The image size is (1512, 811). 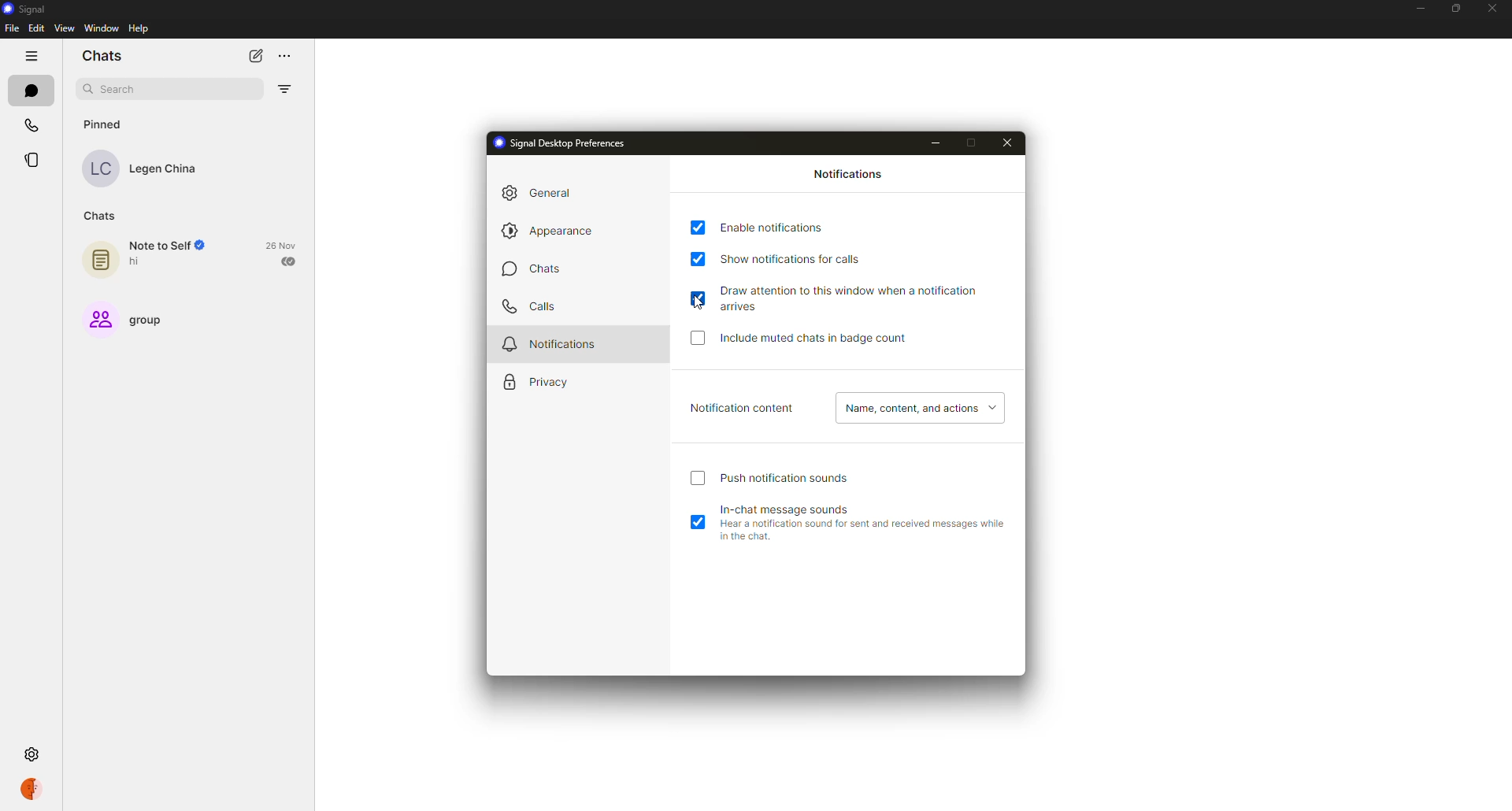 What do you see at coordinates (290, 261) in the screenshot?
I see `sent` at bounding box center [290, 261].